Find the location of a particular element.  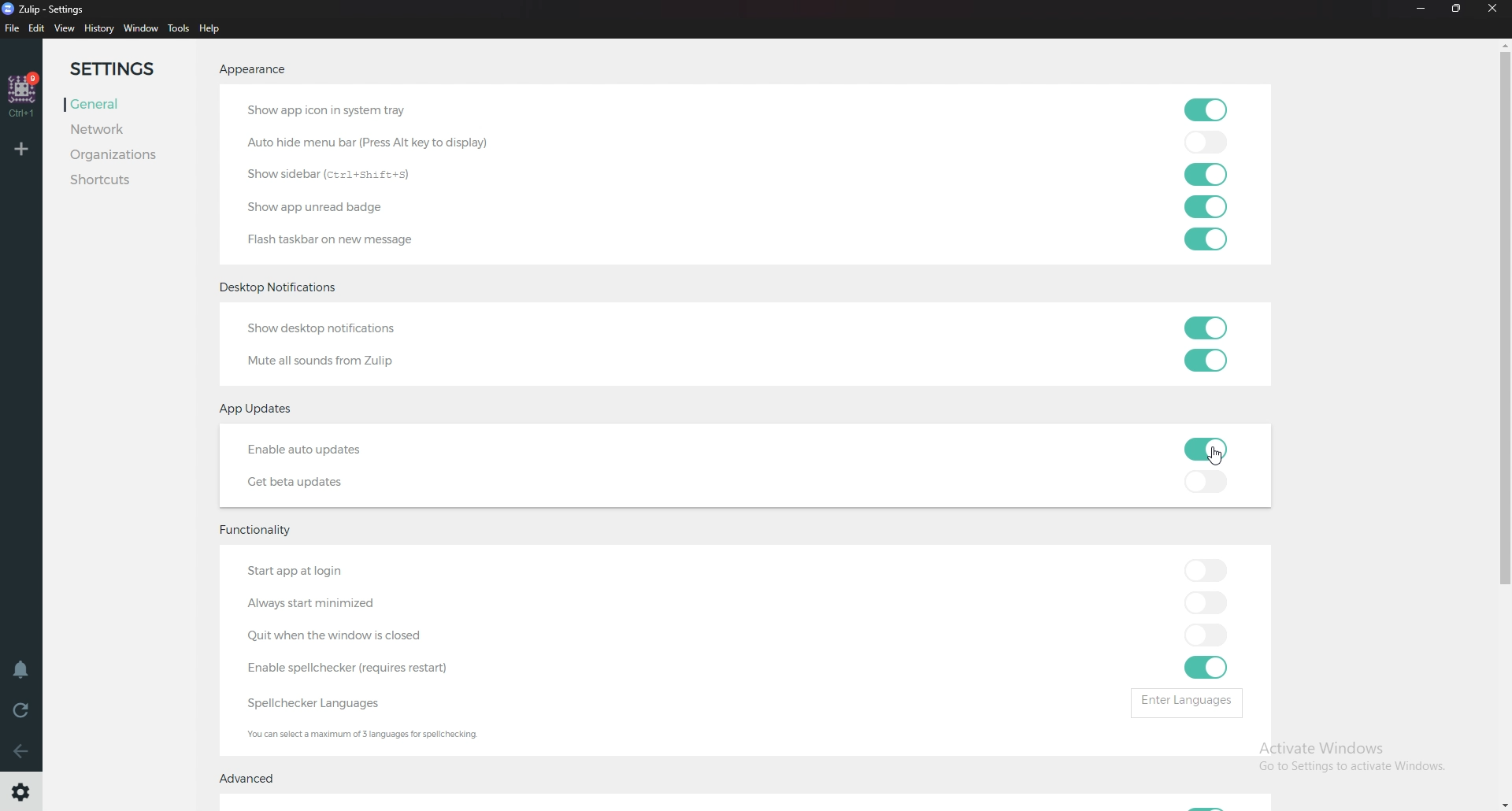

Quit when windows closed is located at coordinates (370, 636).